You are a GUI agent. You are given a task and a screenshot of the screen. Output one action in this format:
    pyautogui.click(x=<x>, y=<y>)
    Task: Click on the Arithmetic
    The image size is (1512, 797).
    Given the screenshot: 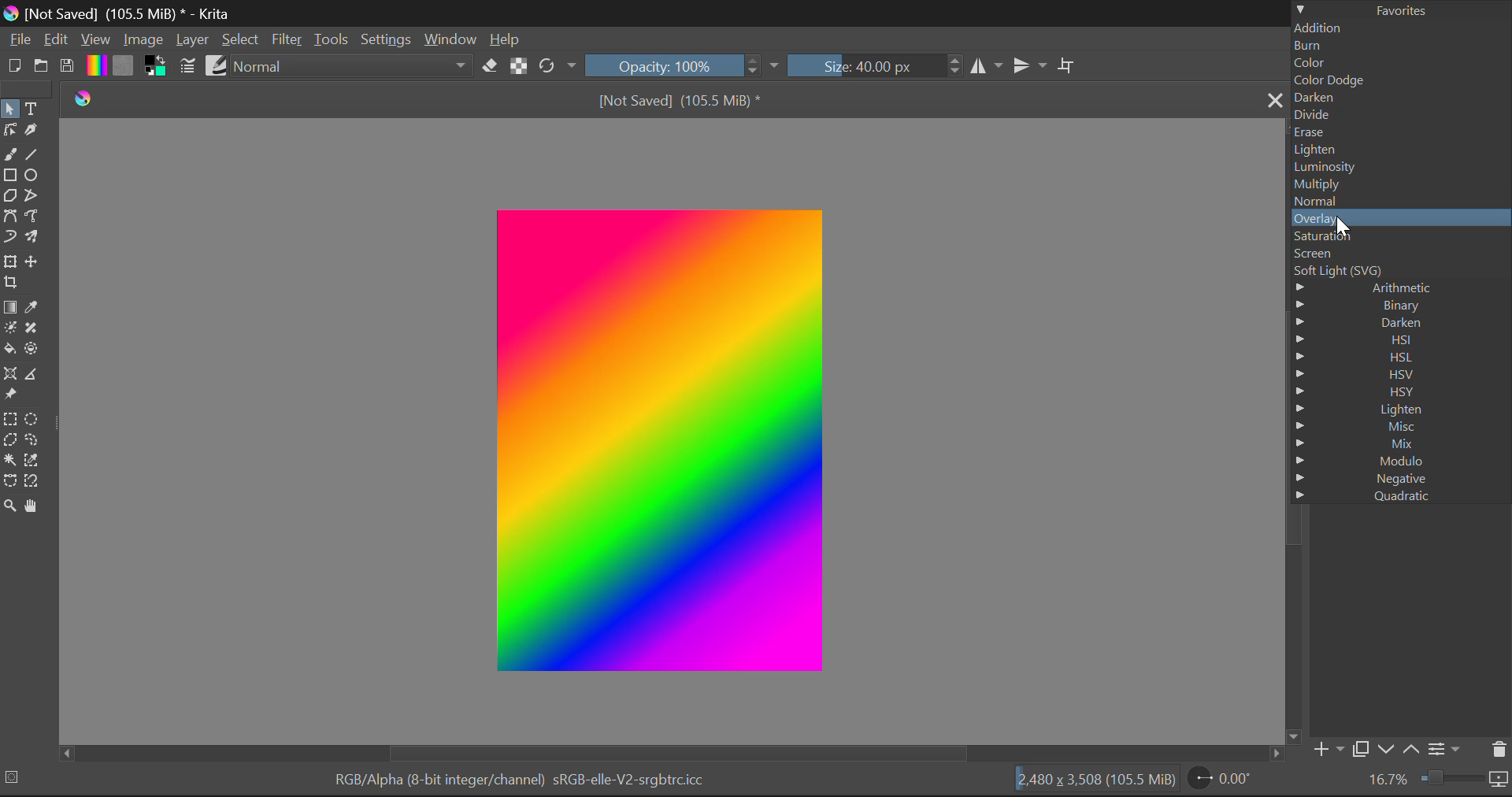 What is the action you would take?
    pyautogui.click(x=1395, y=287)
    